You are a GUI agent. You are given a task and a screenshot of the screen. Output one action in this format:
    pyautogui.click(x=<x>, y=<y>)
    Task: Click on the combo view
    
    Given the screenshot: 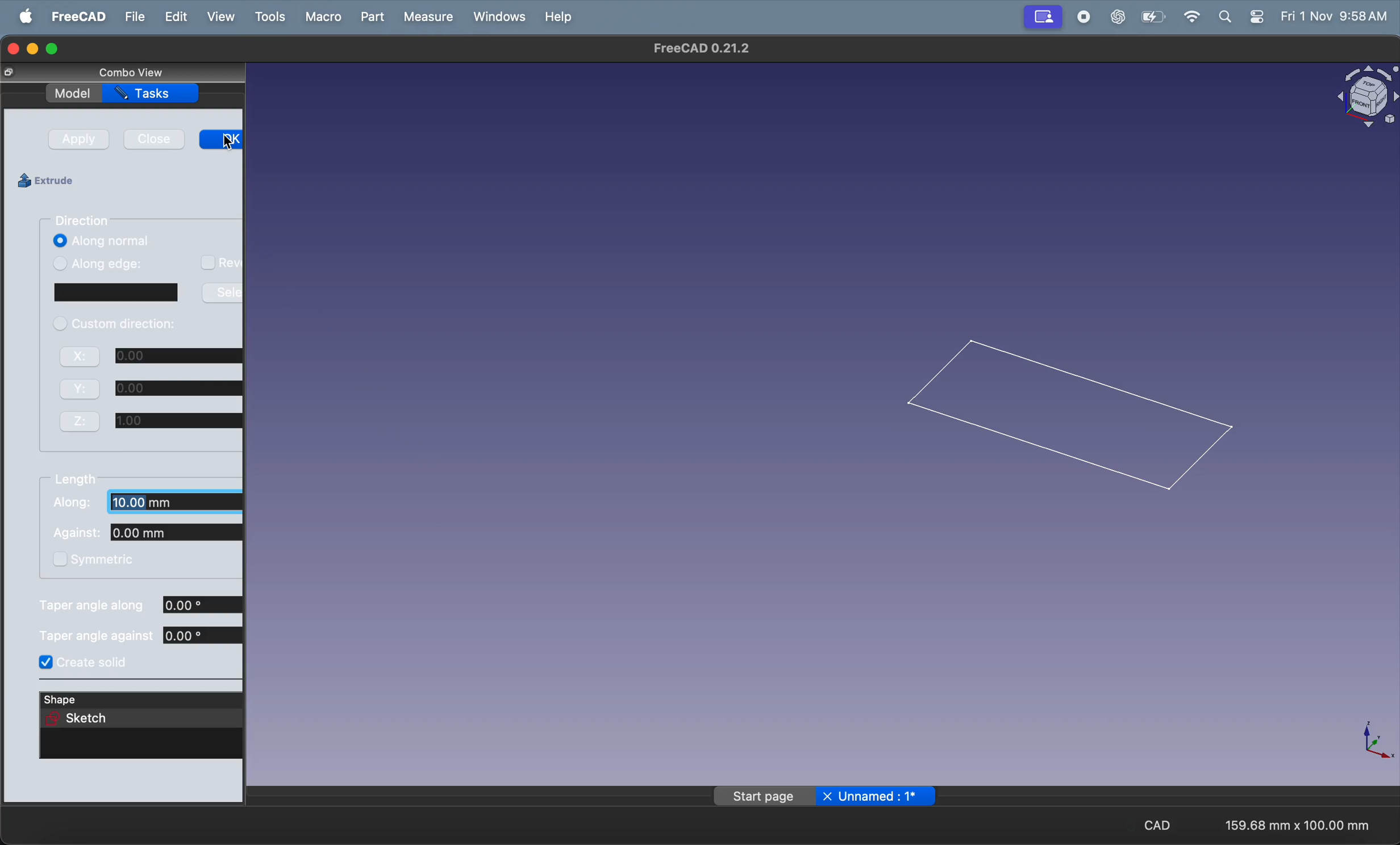 What is the action you would take?
    pyautogui.click(x=132, y=75)
    